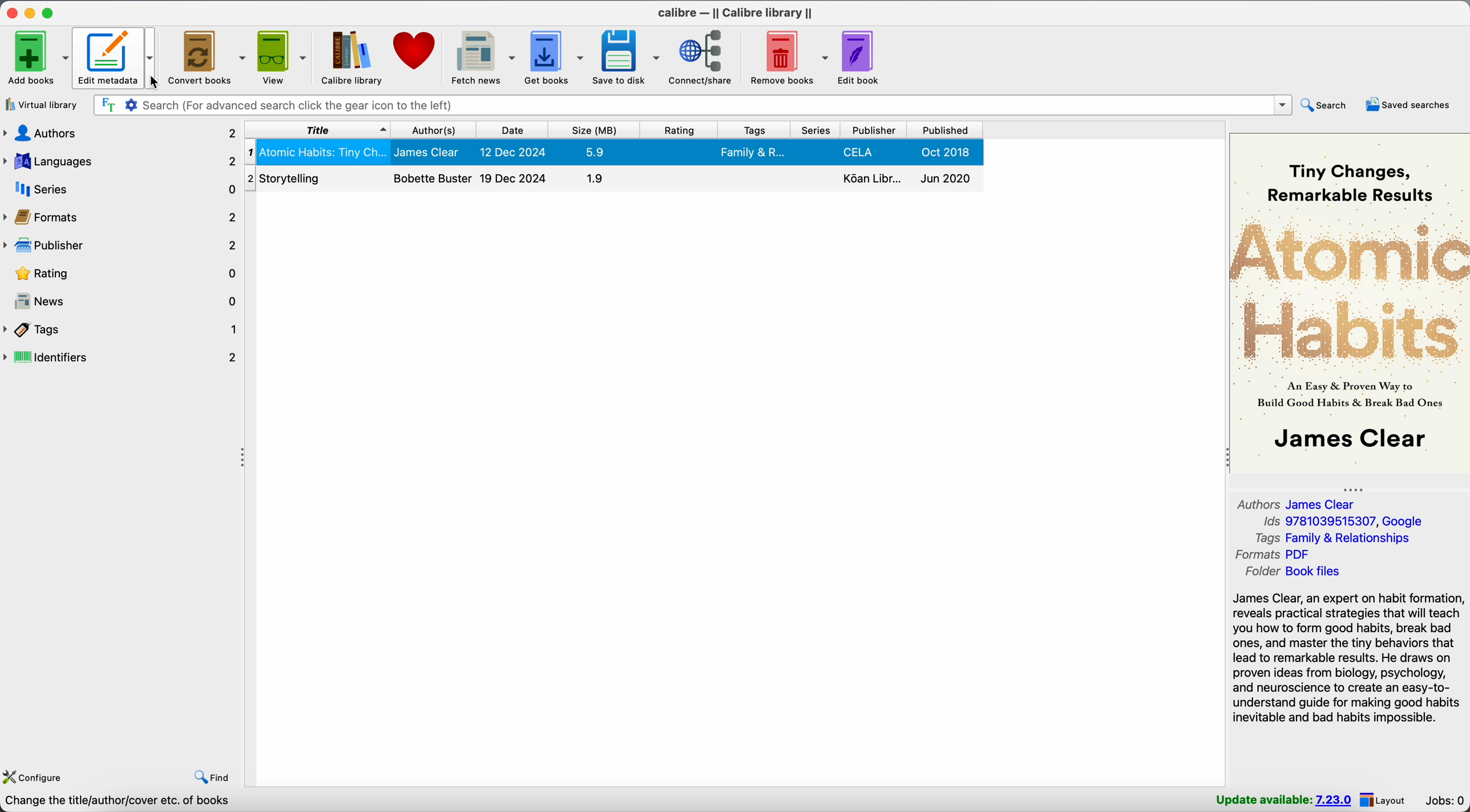  Describe the element at coordinates (1274, 555) in the screenshot. I see `formats PDF` at that location.